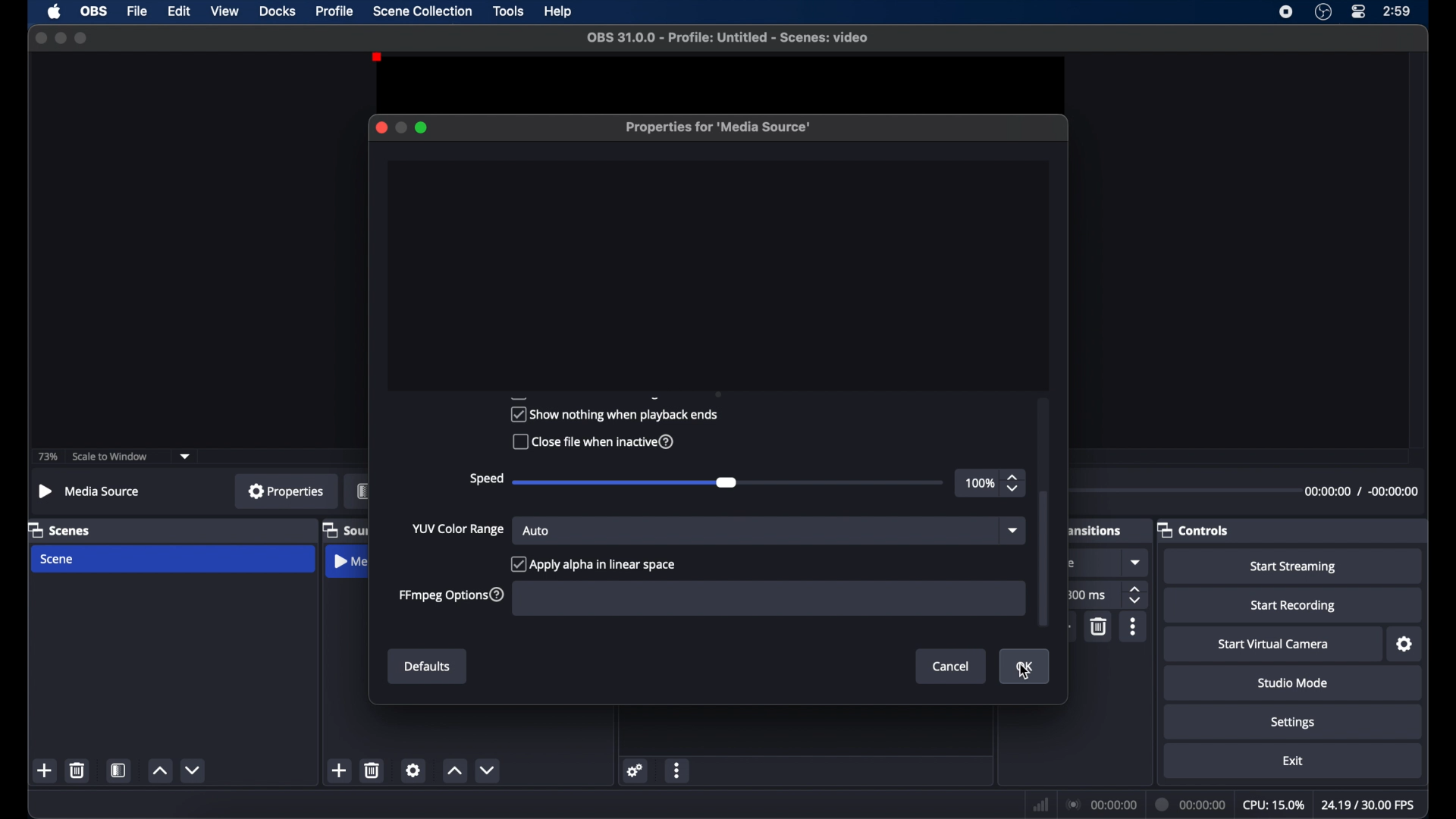 The image size is (1456, 819). I want to click on close file when inactive, so click(592, 442).